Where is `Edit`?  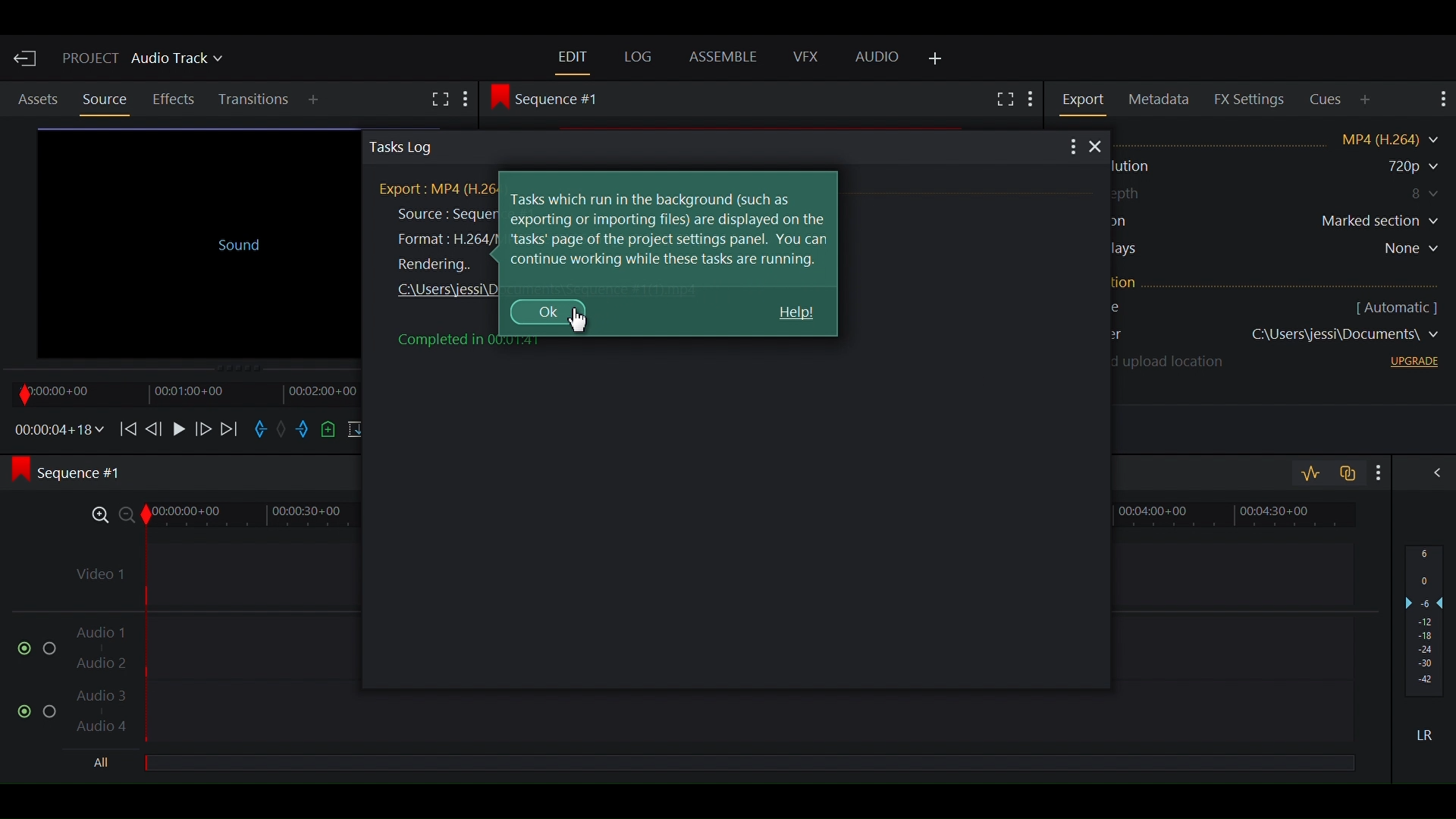
Edit is located at coordinates (573, 56).